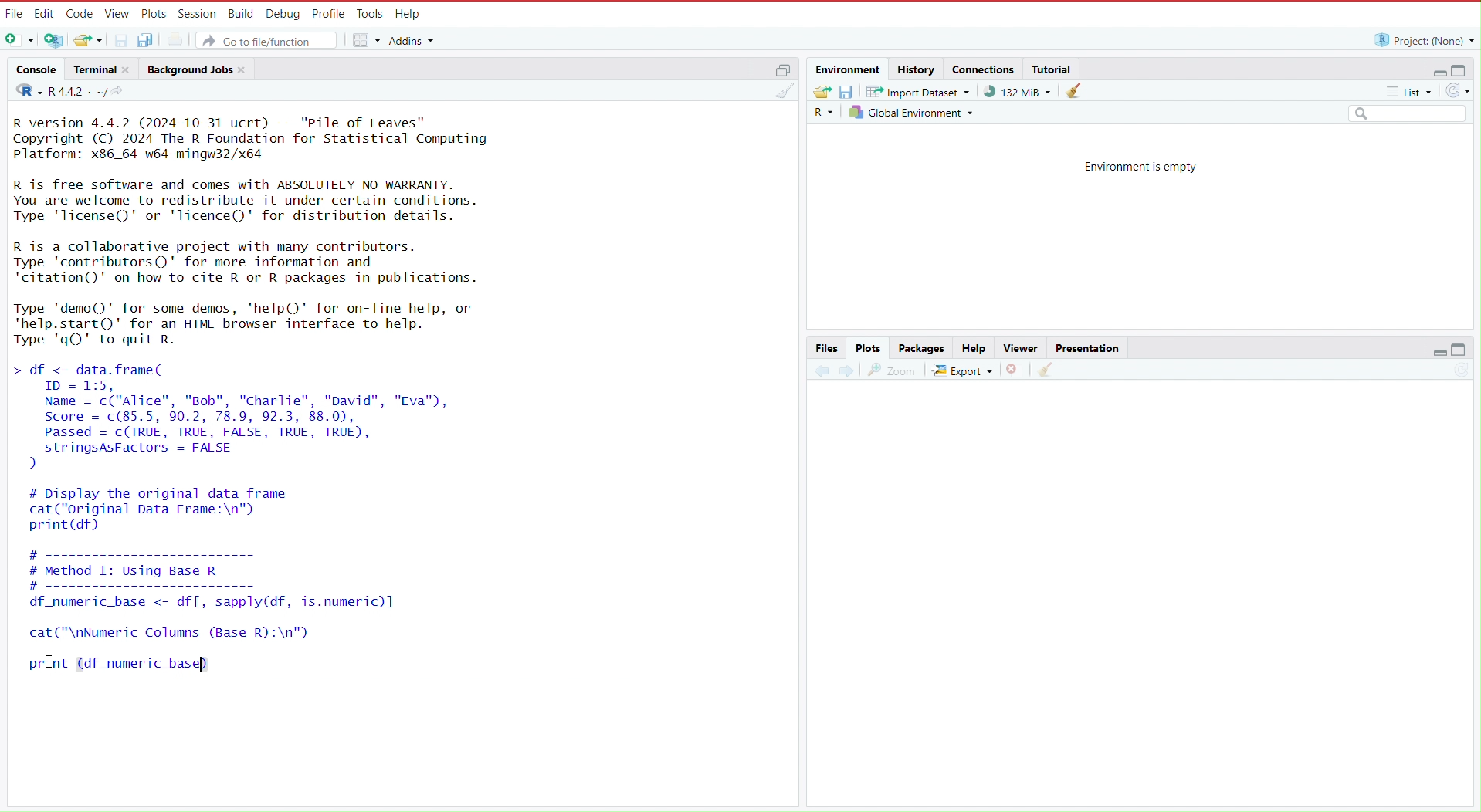 This screenshot has height=812, width=1481. I want to click on minimize, so click(1435, 69).